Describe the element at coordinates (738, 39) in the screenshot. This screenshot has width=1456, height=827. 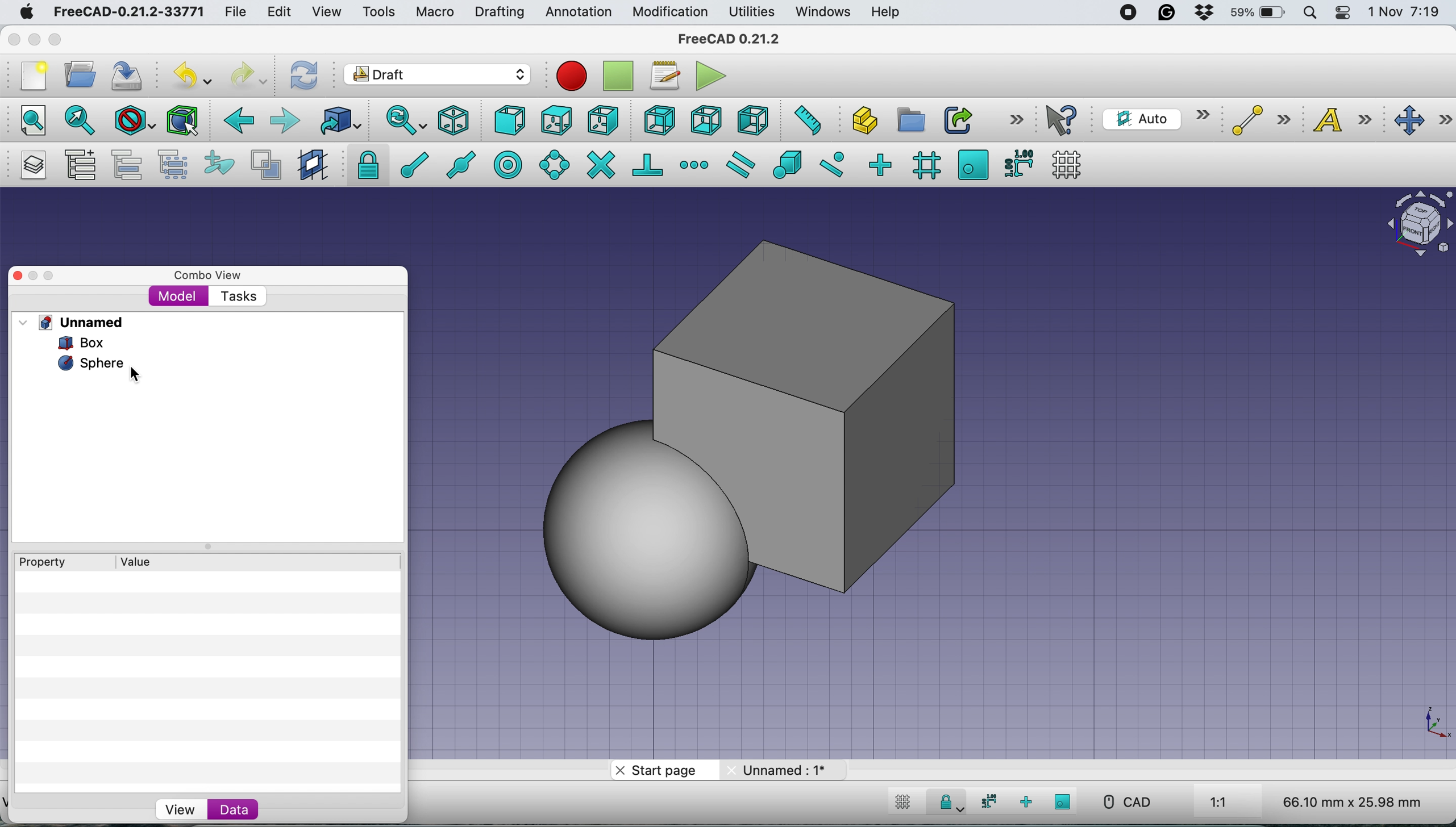
I see `freecad` at that location.